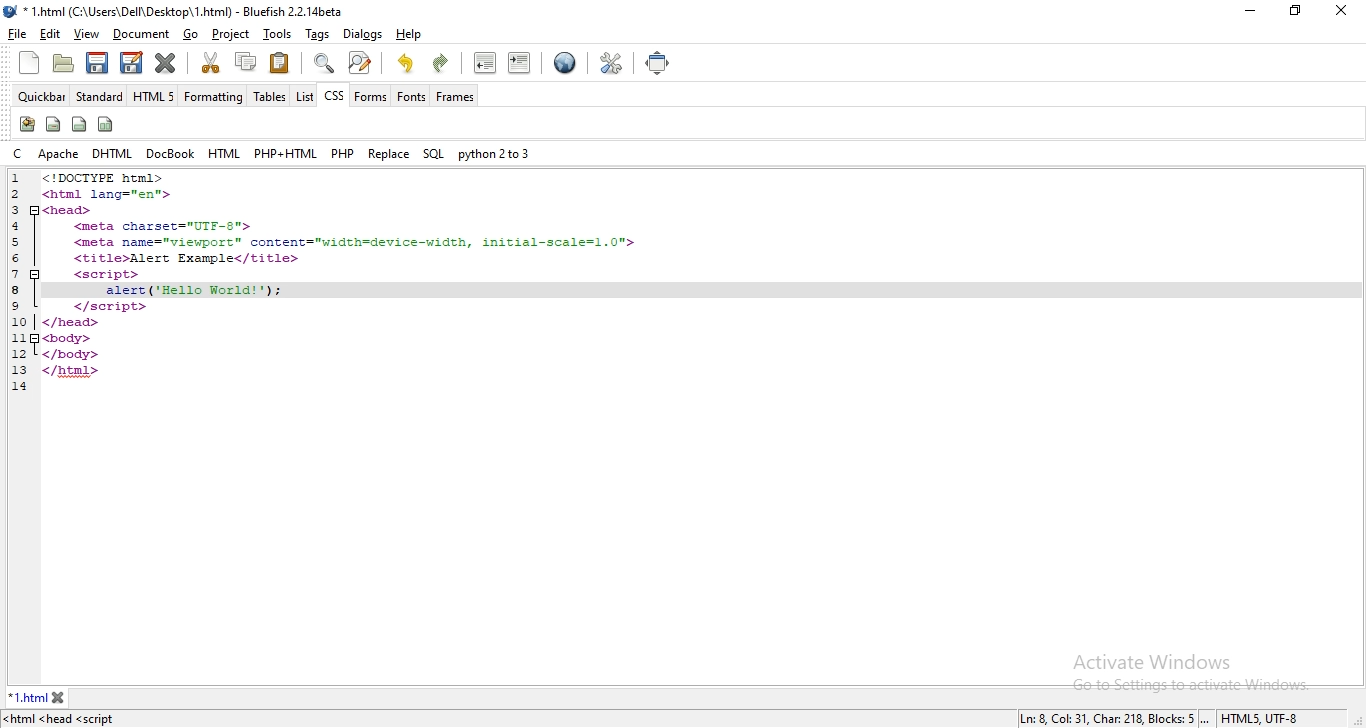  I want to click on <meta name="viewport"™ content="width=device-width, initial-scale=1.0">, so click(355, 242).